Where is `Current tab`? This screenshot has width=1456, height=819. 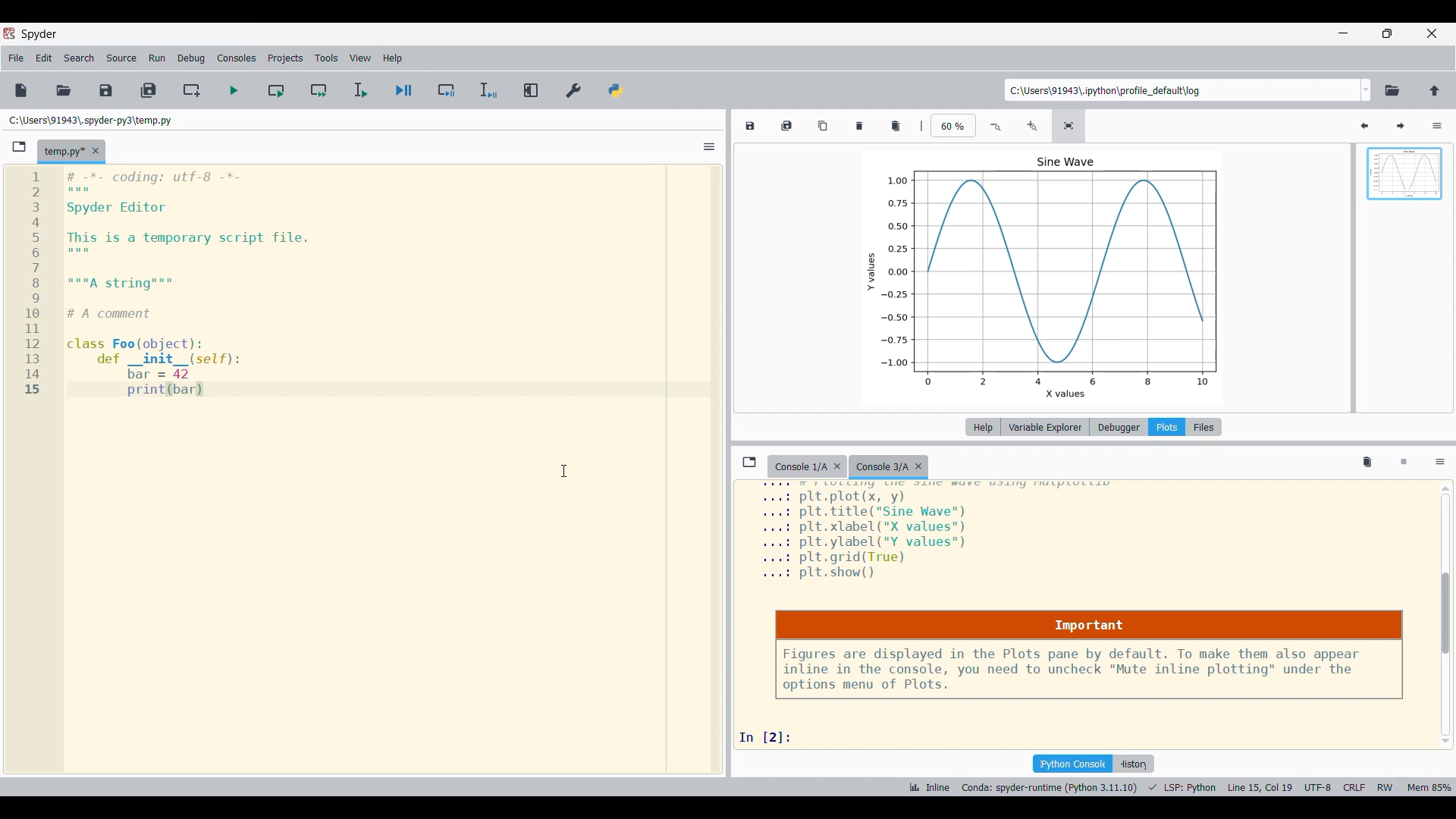
Current tab is located at coordinates (64, 152).